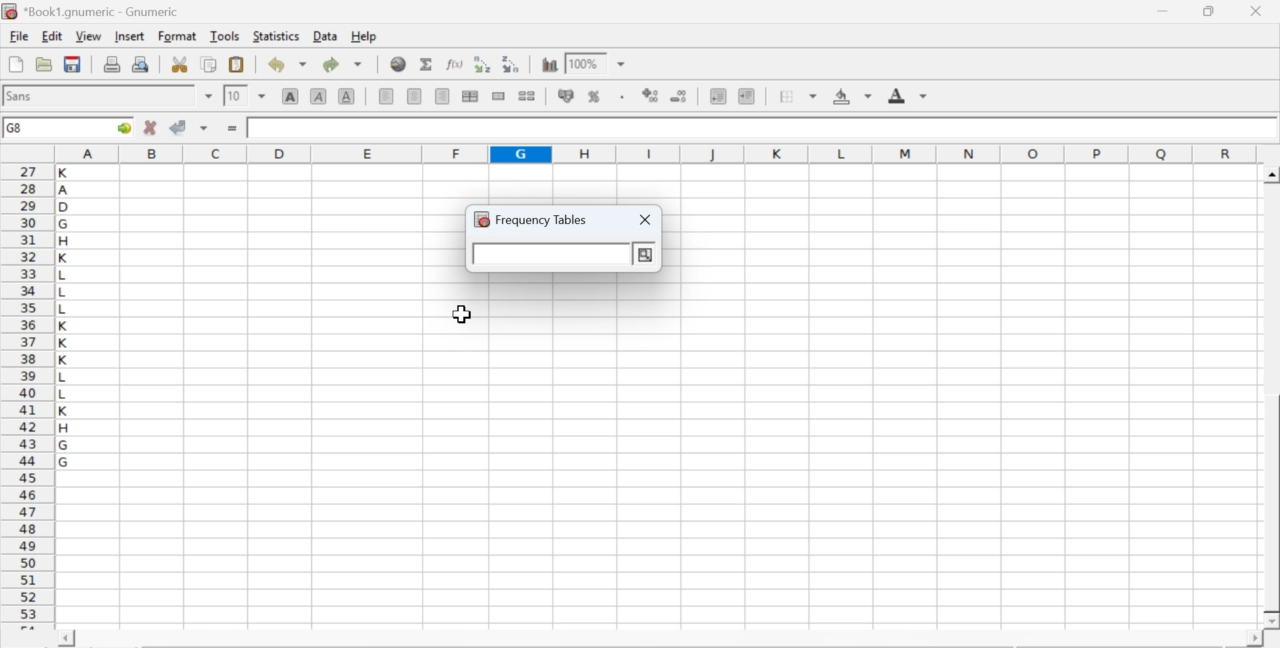 The image size is (1280, 648). I want to click on save current workbook, so click(73, 64).